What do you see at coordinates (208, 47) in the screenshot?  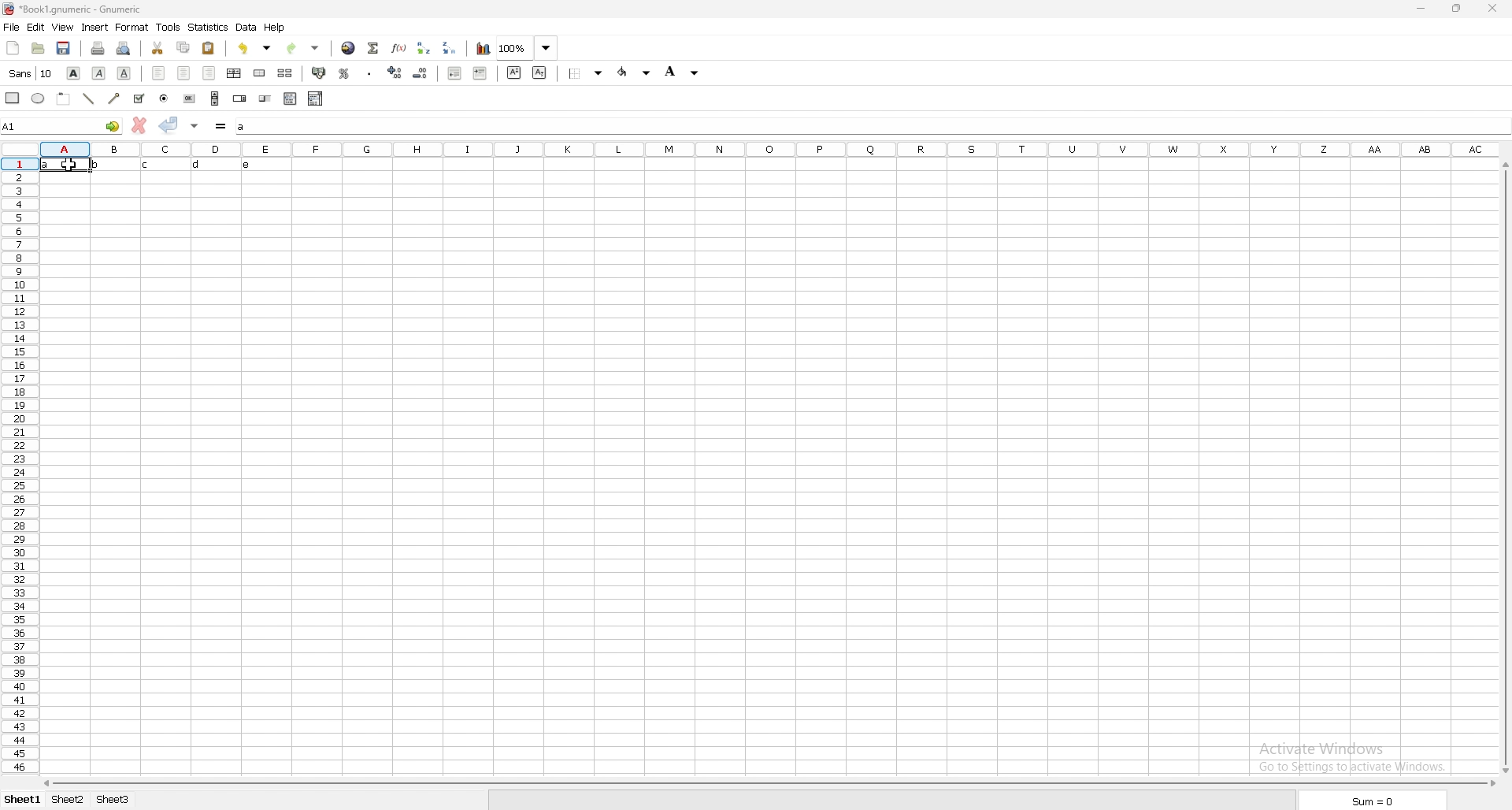 I see `paste` at bounding box center [208, 47].